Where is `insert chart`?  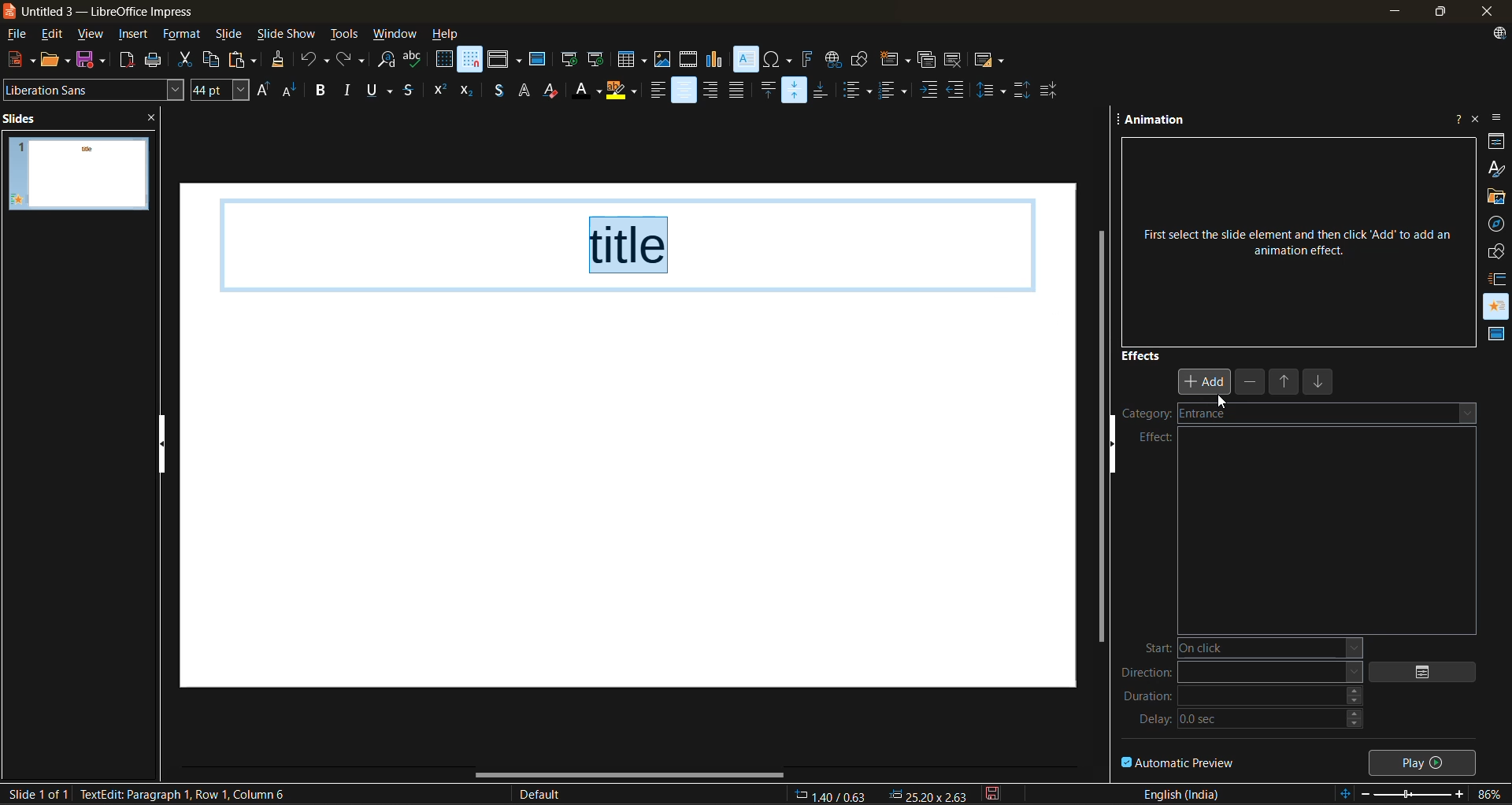 insert chart is located at coordinates (716, 60).